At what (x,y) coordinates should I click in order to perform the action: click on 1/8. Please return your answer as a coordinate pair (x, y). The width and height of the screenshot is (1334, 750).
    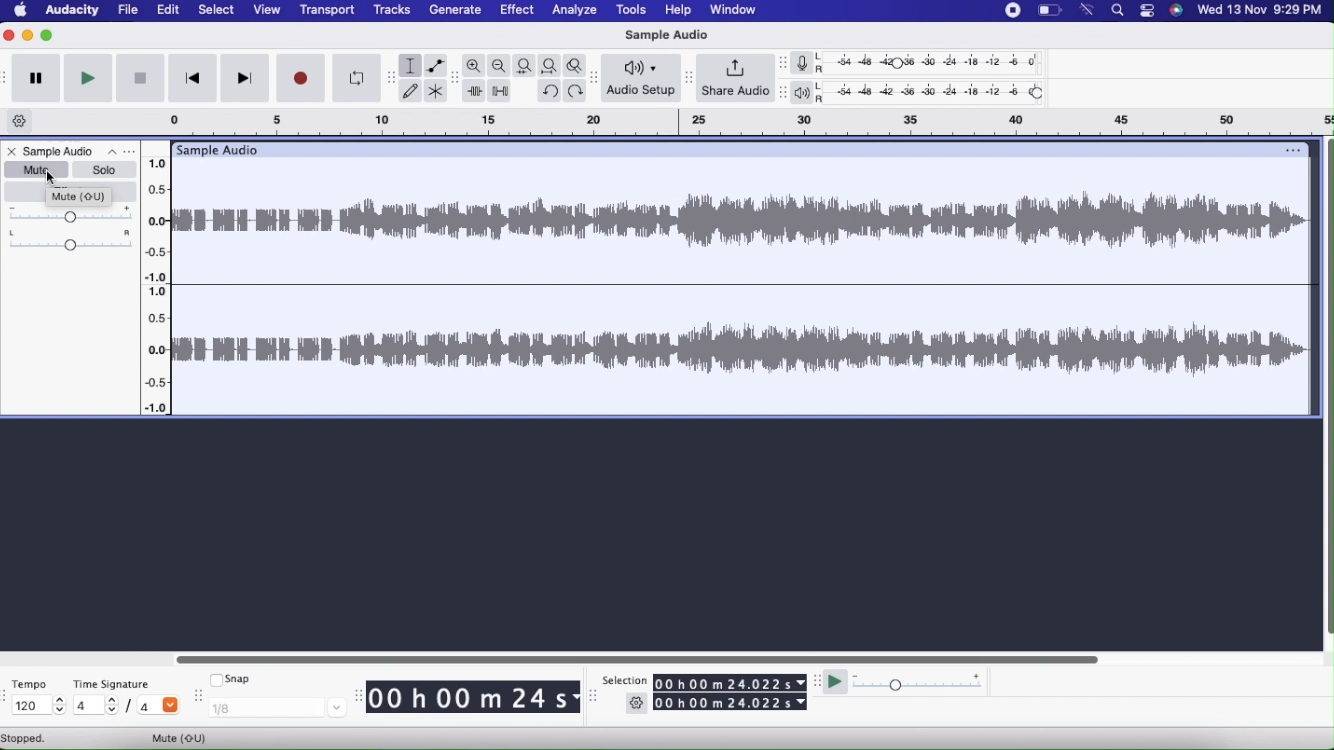
    Looking at the image, I should click on (274, 710).